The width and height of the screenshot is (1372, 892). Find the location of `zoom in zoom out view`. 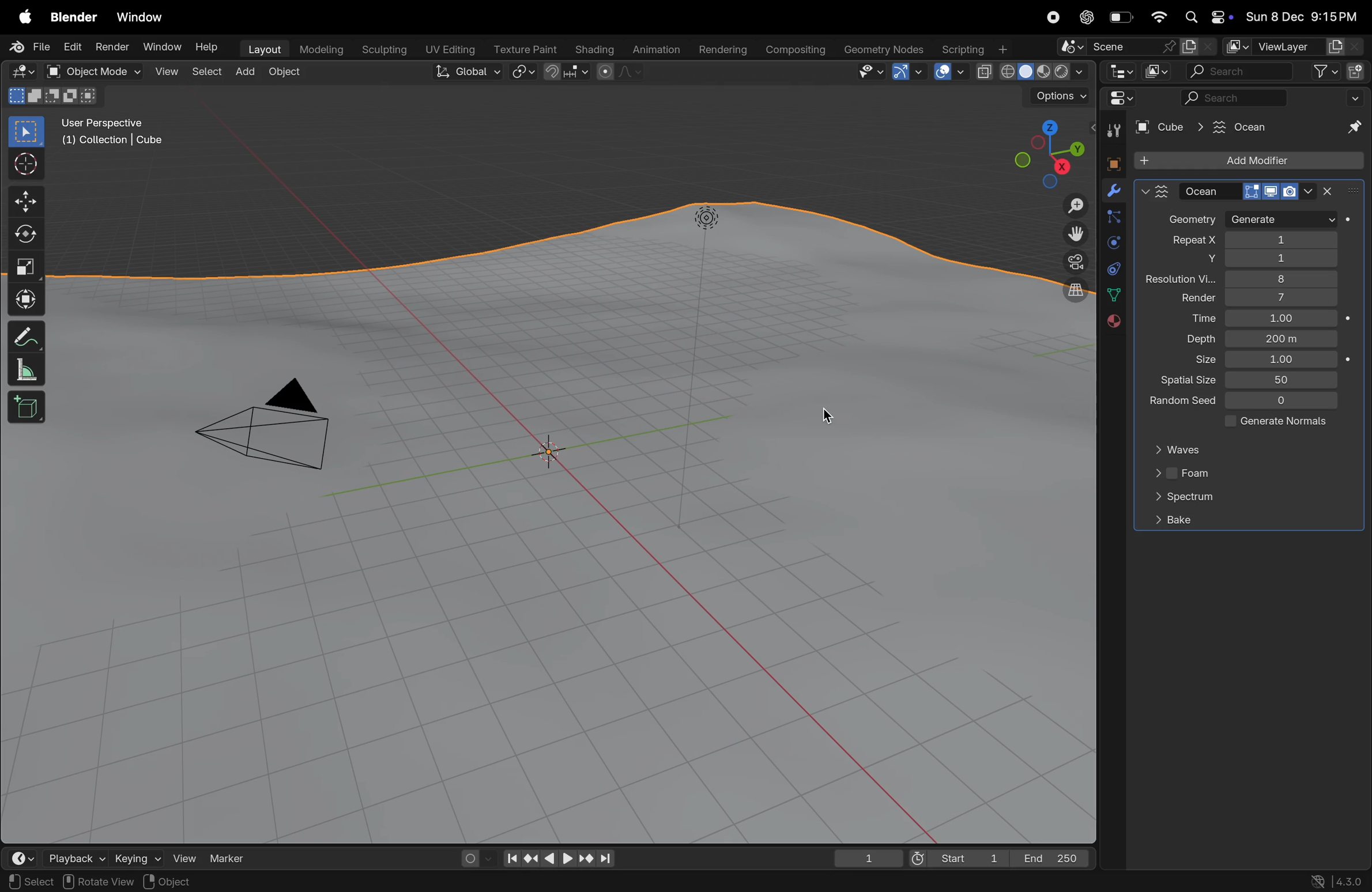

zoom in zoom out view is located at coordinates (1071, 206).